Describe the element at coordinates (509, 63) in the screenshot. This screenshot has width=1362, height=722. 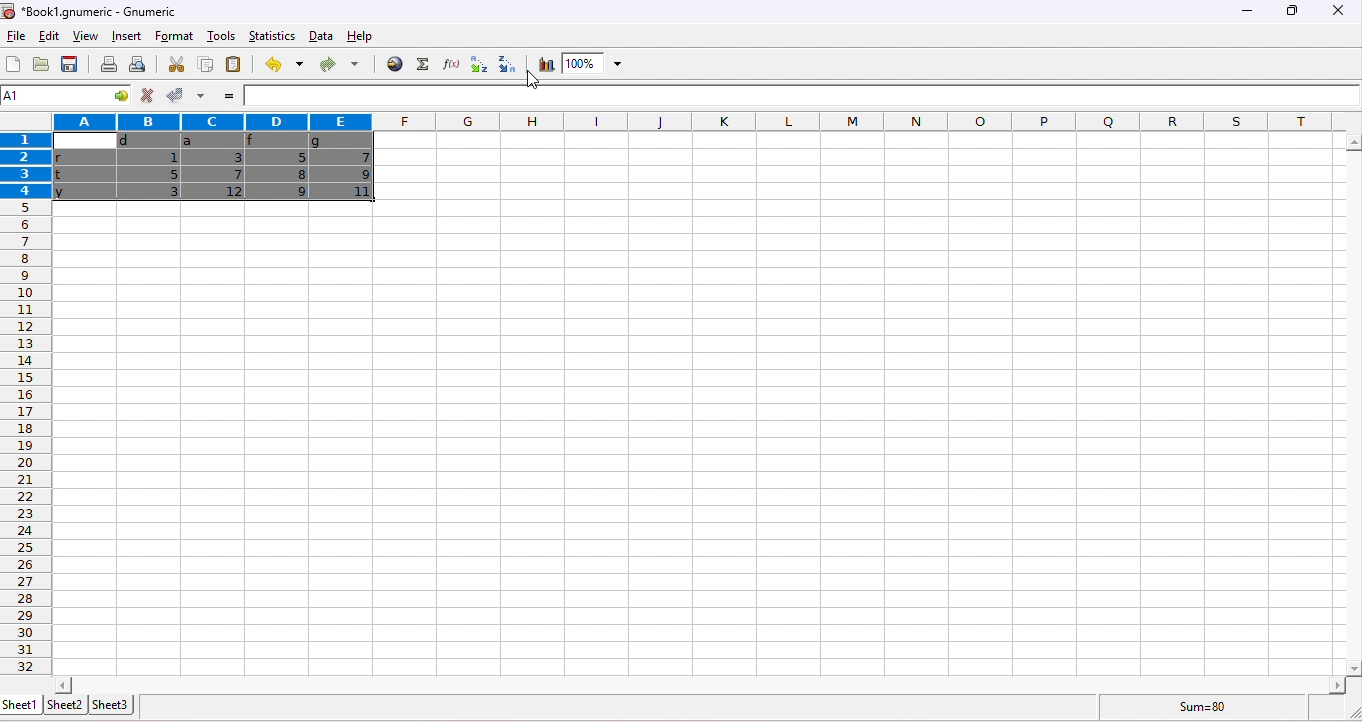
I see `sort descending` at that location.